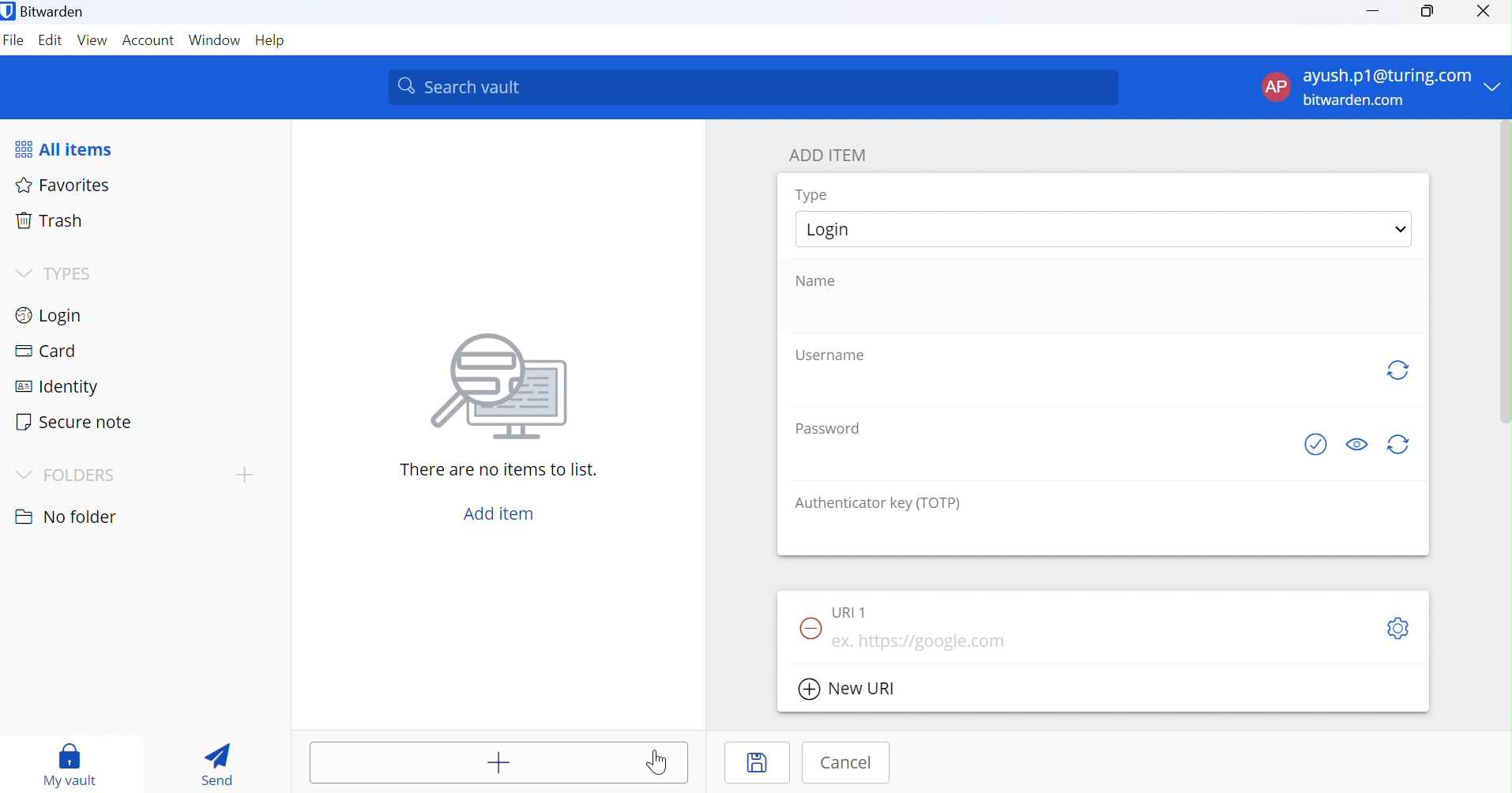 The height and width of the screenshot is (793, 1512). I want to click on Add item, so click(497, 762).